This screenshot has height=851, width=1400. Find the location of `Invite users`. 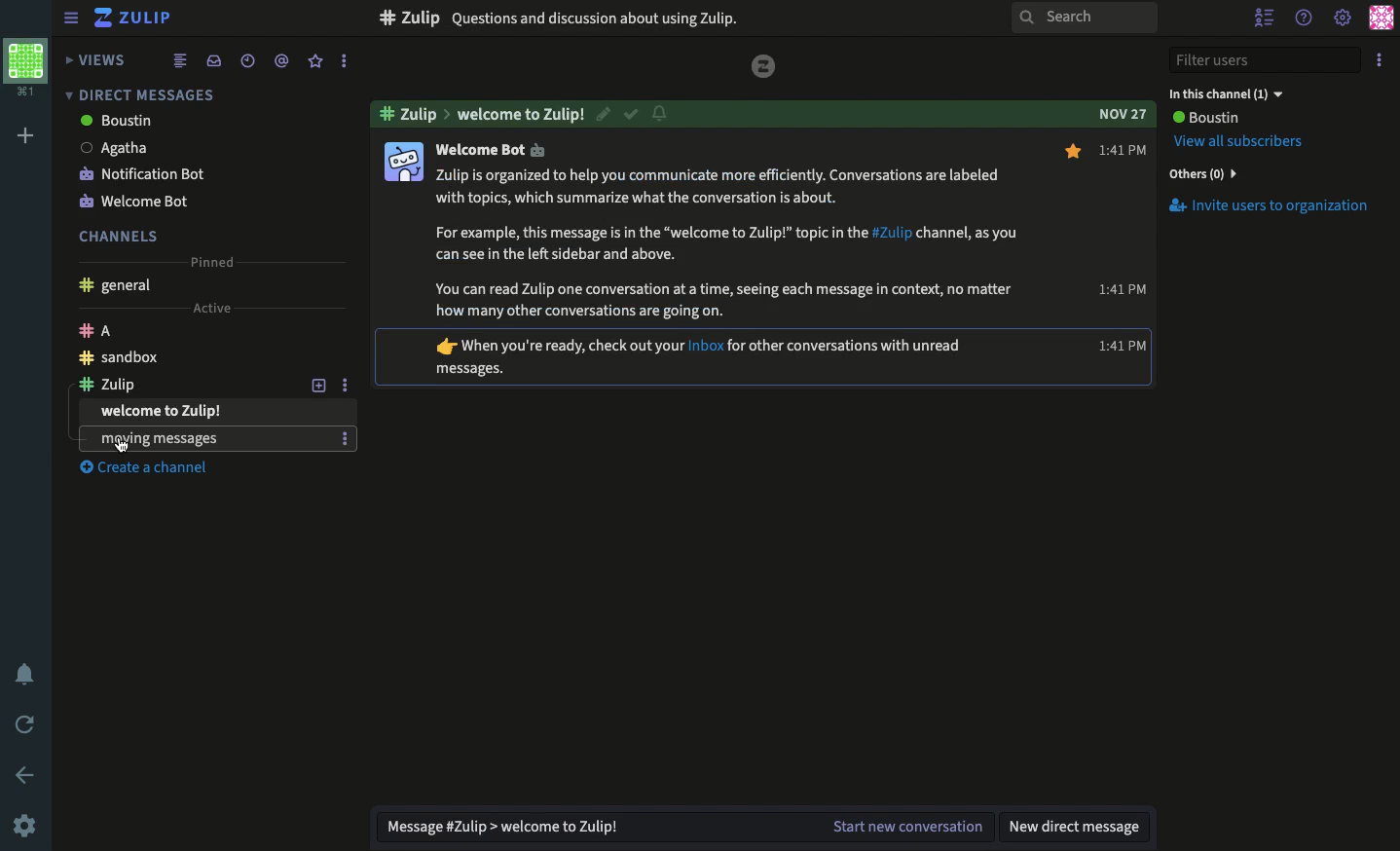

Invite users is located at coordinates (1268, 205).